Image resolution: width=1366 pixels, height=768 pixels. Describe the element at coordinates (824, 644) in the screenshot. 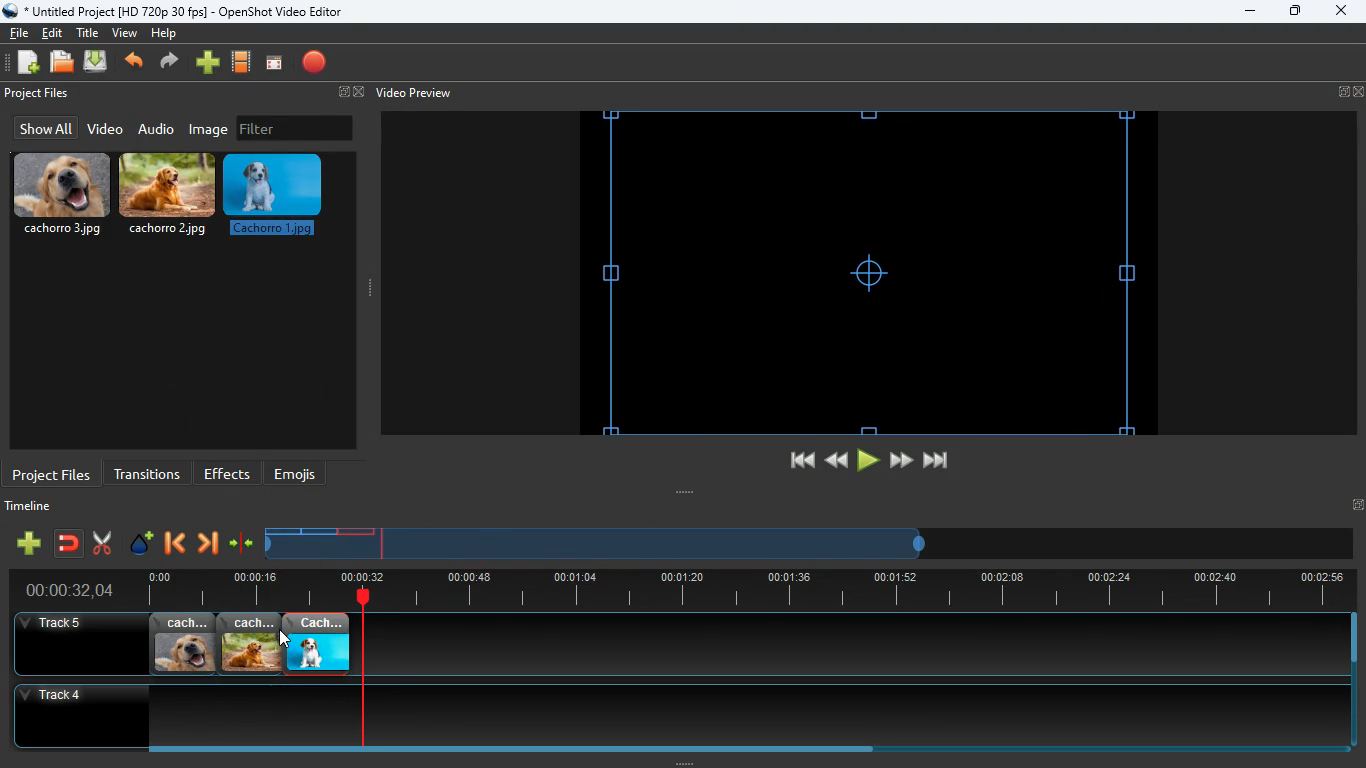

I see `track` at that location.